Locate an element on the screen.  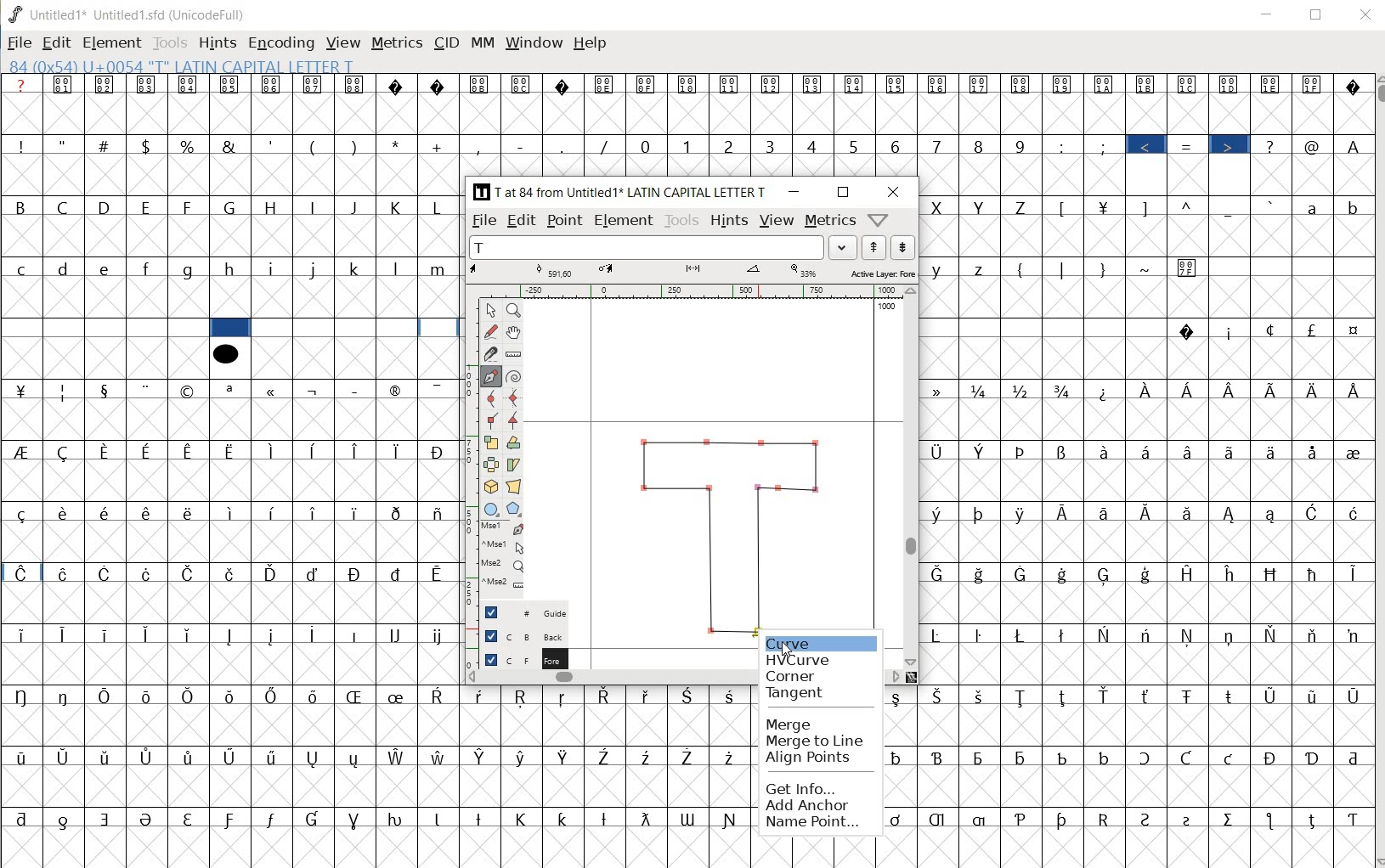
Symbol is located at coordinates (1351, 512).